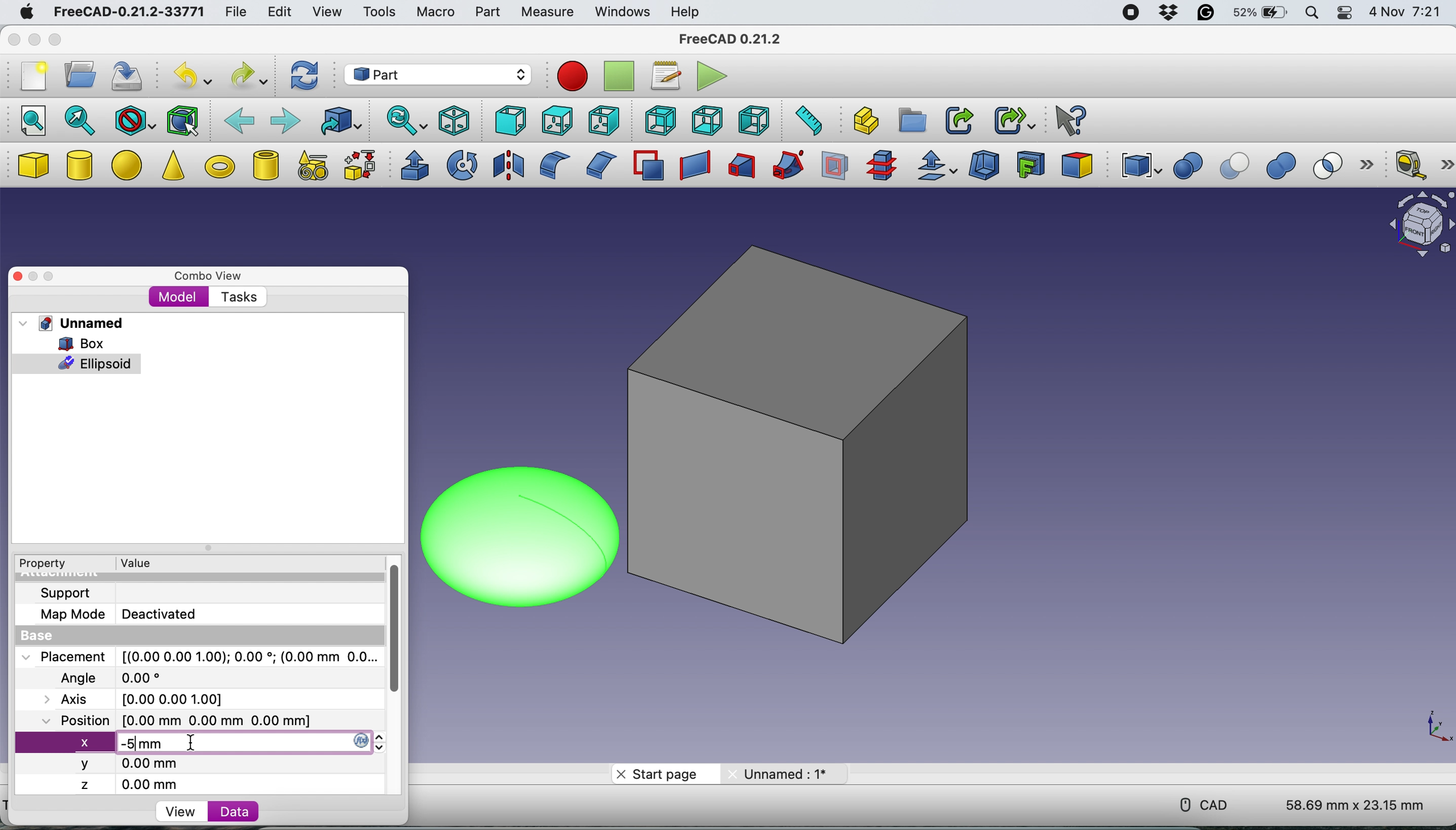 This screenshot has height=830, width=1456. Describe the element at coordinates (487, 14) in the screenshot. I see `part` at that location.